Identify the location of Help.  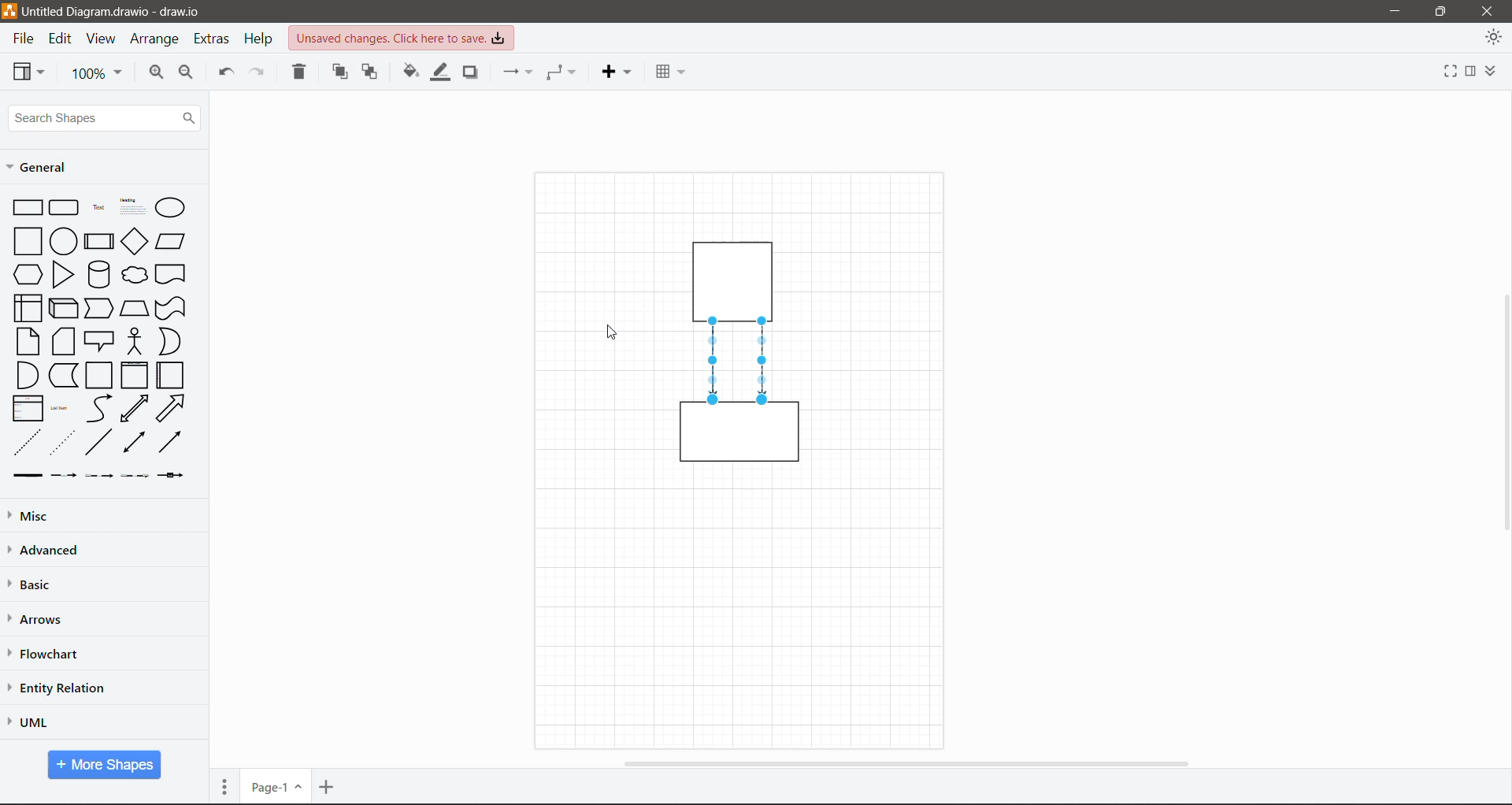
(261, 39).